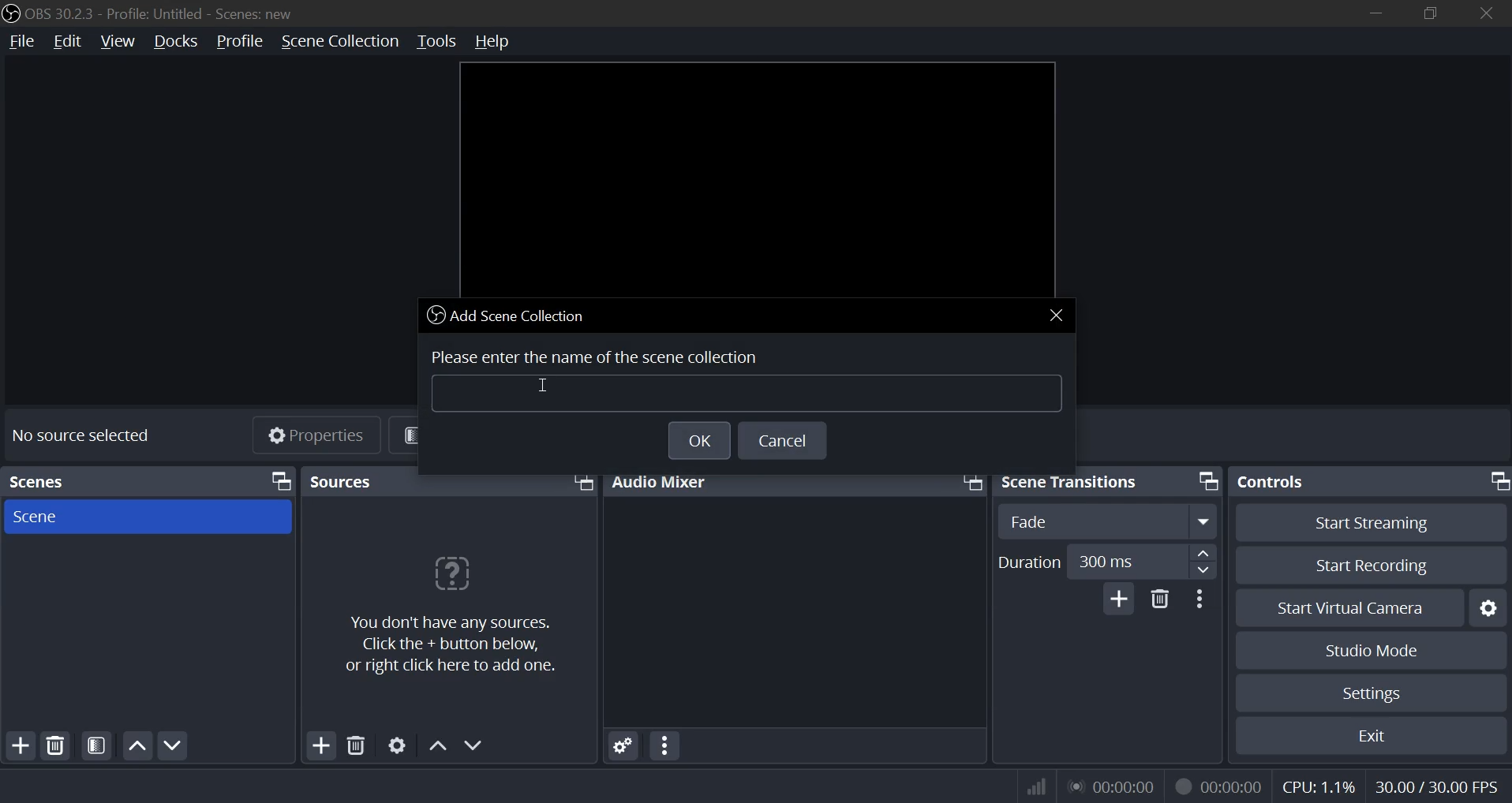  Describe the element at coordinates (166, 11) in the screenshot. I see `OBS 30.2.3 - Profile: Untitled - Scenes: new` at that location.